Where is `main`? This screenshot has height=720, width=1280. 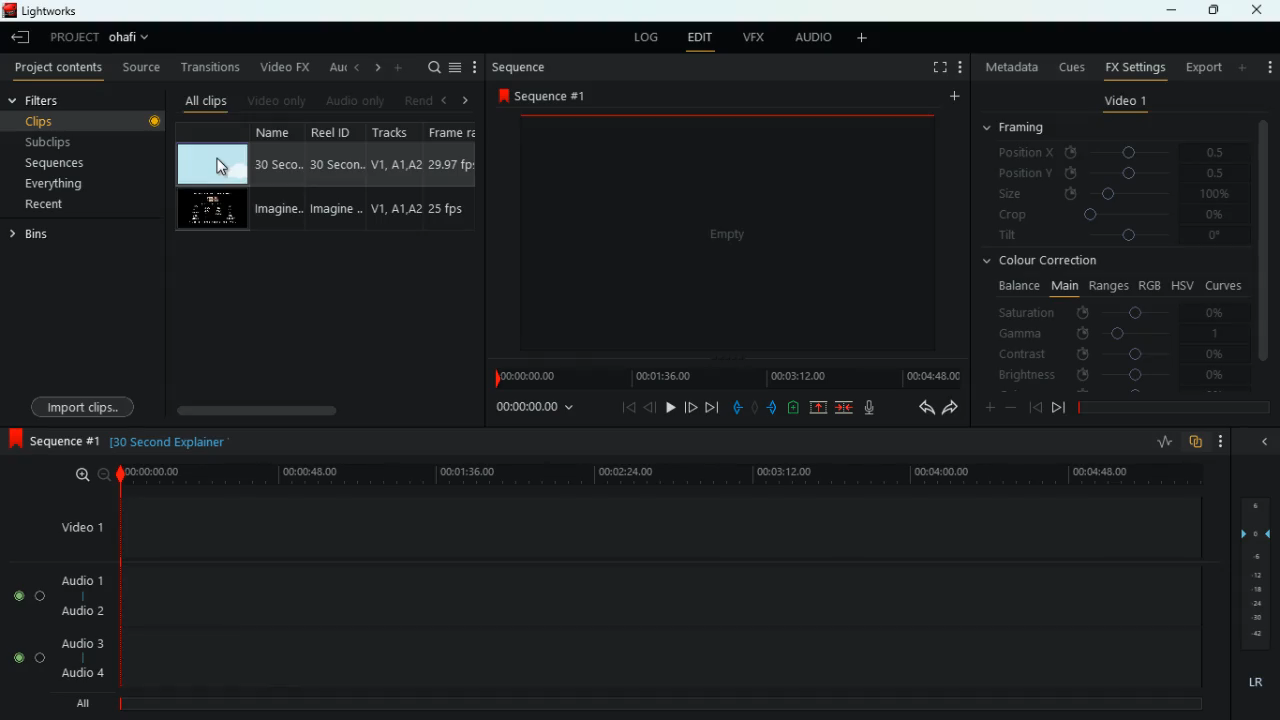
main is located at coordinates (1064, 285).